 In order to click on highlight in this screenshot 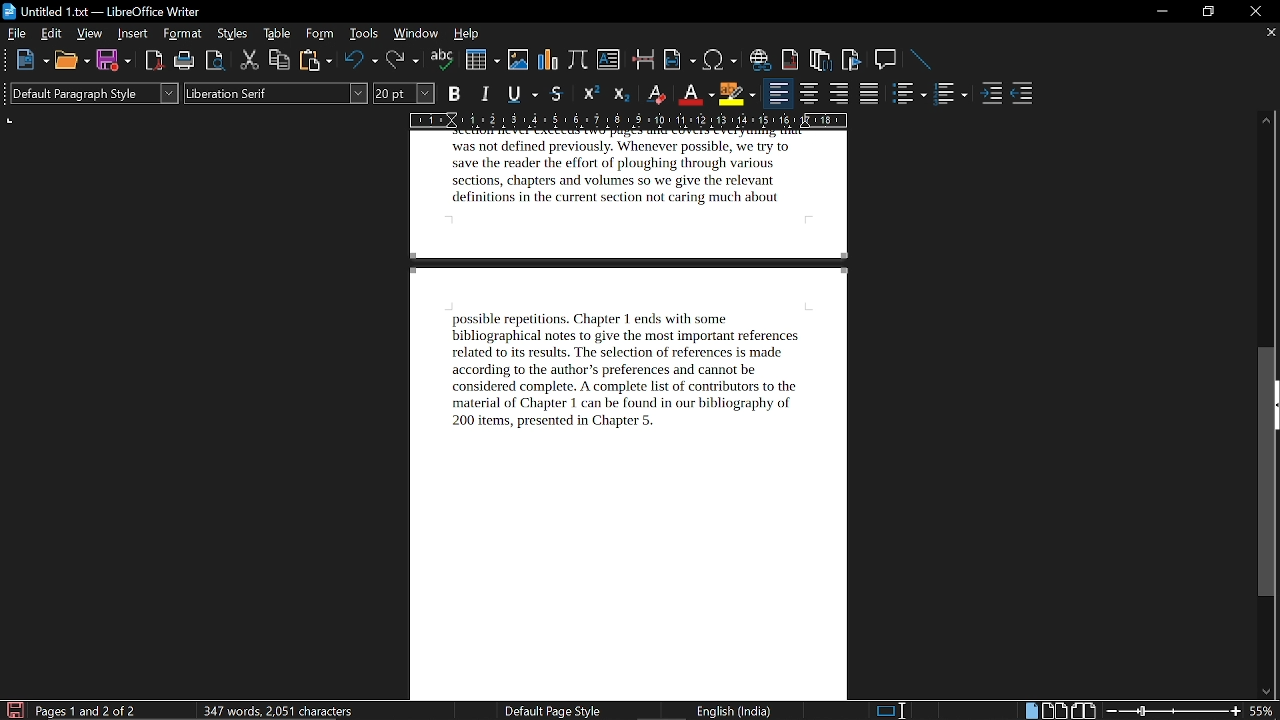, I will do `click(737, 93)`.